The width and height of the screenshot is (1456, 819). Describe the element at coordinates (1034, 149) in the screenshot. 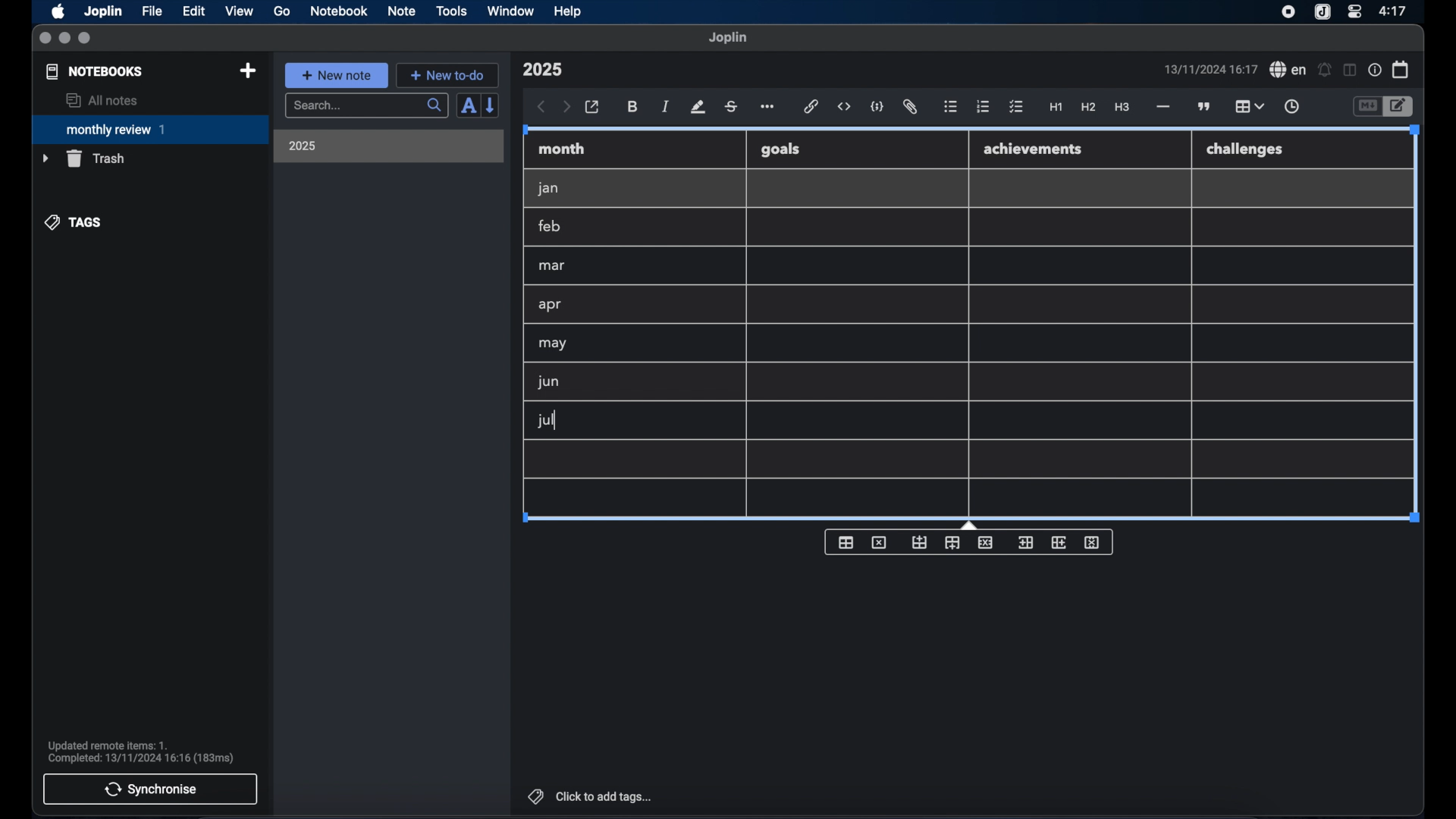

I see `achievements` at that location.